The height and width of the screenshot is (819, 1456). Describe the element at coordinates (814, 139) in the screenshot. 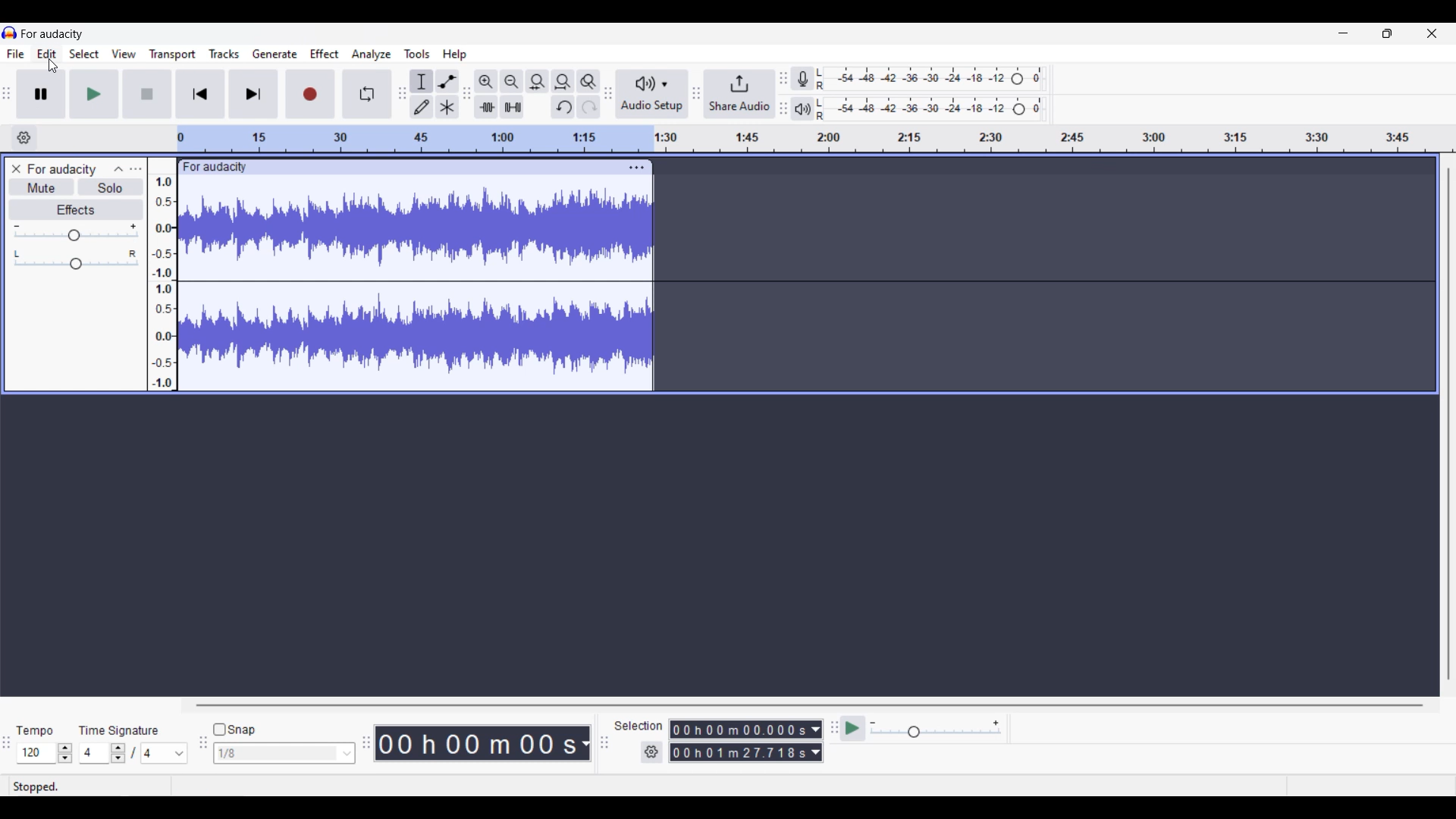

I see `Scale to measure length of track` at that location.